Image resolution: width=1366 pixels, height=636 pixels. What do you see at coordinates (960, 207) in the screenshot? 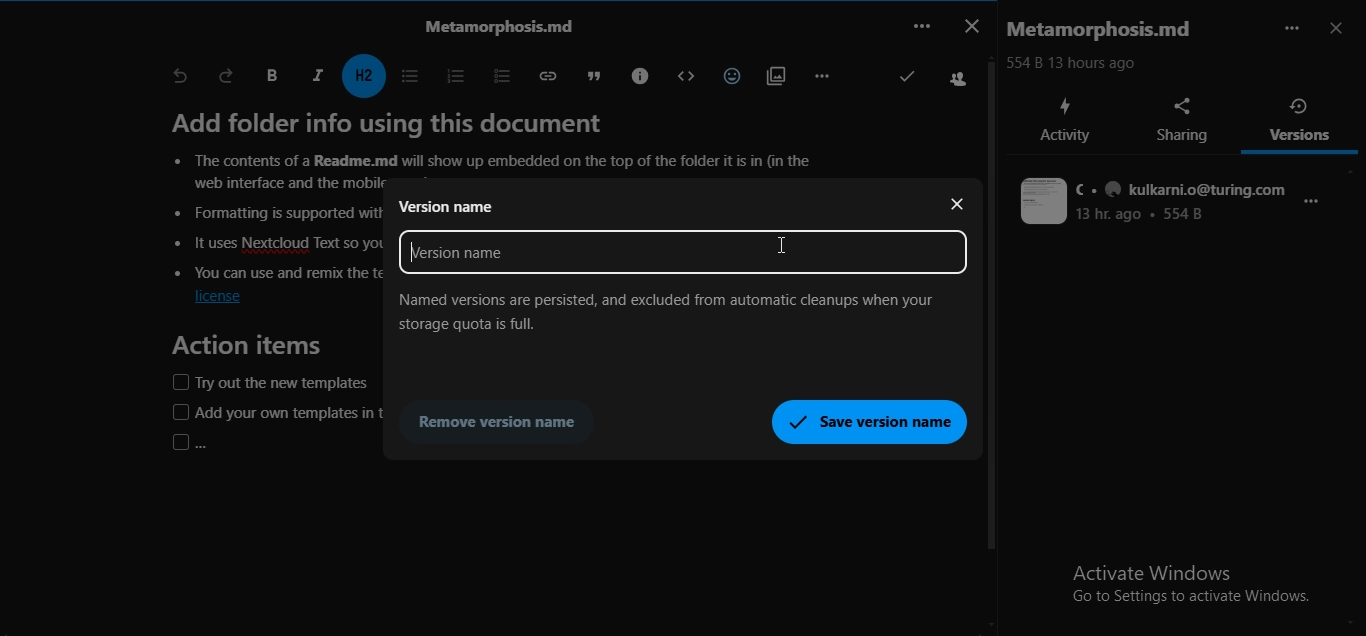
I see `close` at bounding box center [960, 207].